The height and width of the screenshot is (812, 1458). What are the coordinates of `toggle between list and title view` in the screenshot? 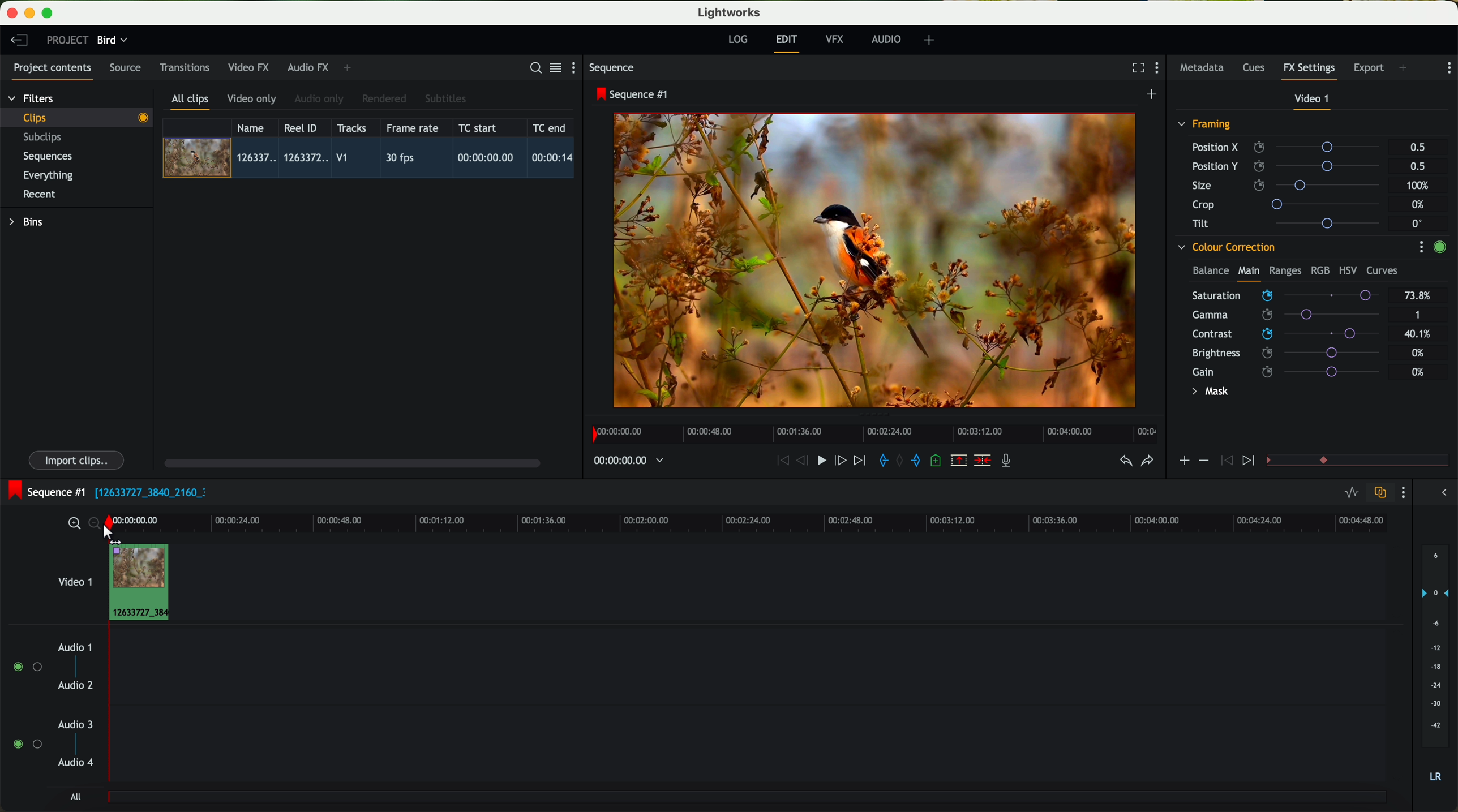 It's located at (554, 67).